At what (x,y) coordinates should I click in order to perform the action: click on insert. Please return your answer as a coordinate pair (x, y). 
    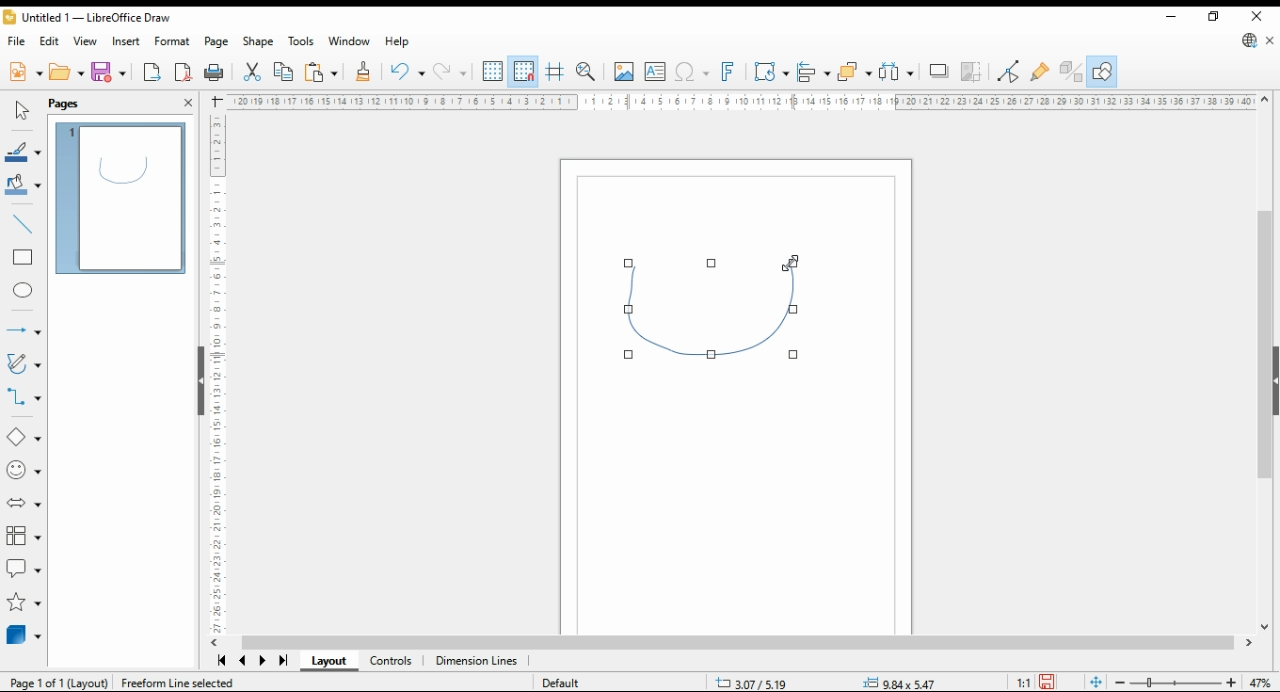
    Looking at the image, I should click on (125, 41).